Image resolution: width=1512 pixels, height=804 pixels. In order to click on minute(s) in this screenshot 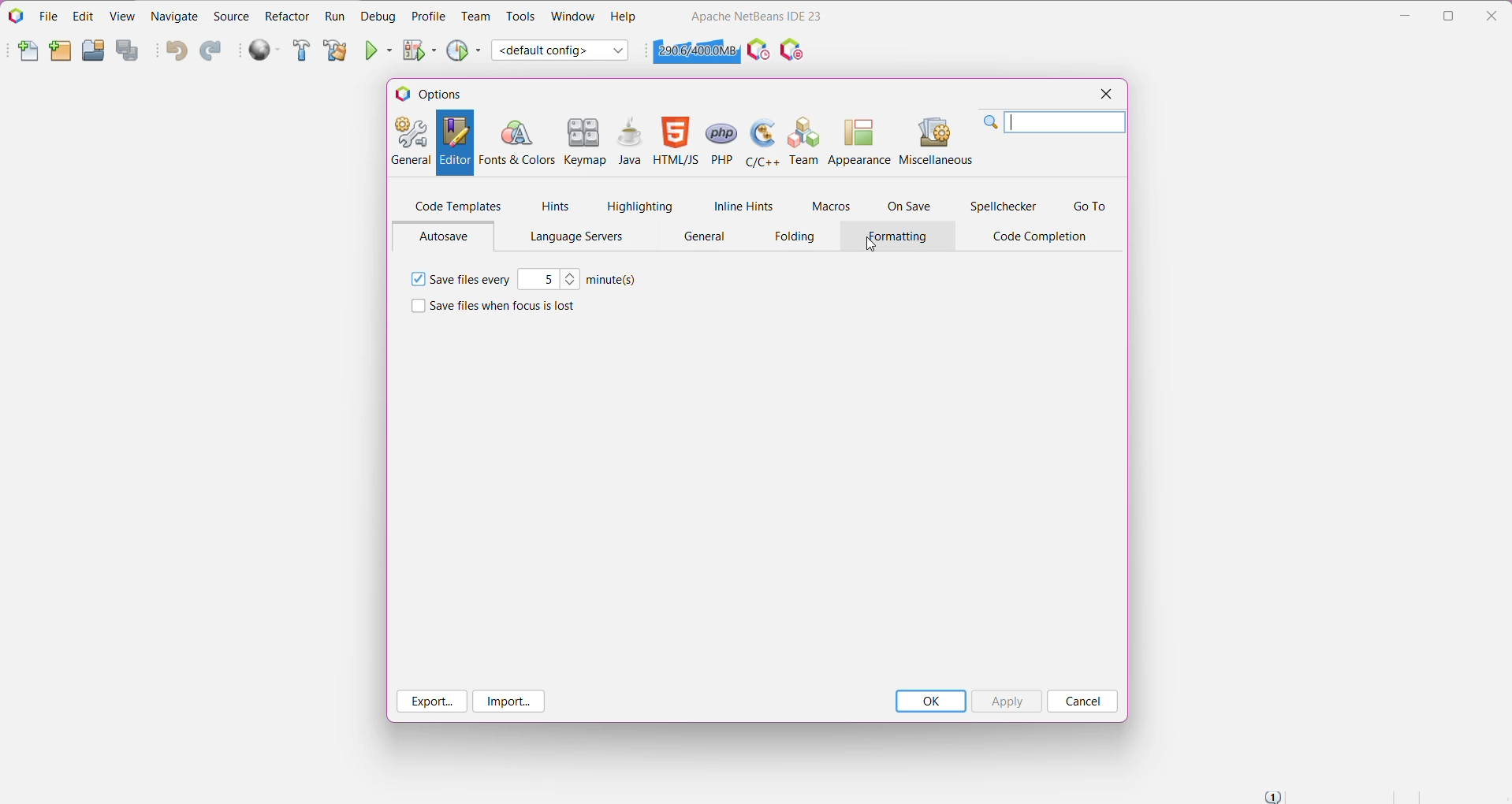, I will do `click(612, 281)`.